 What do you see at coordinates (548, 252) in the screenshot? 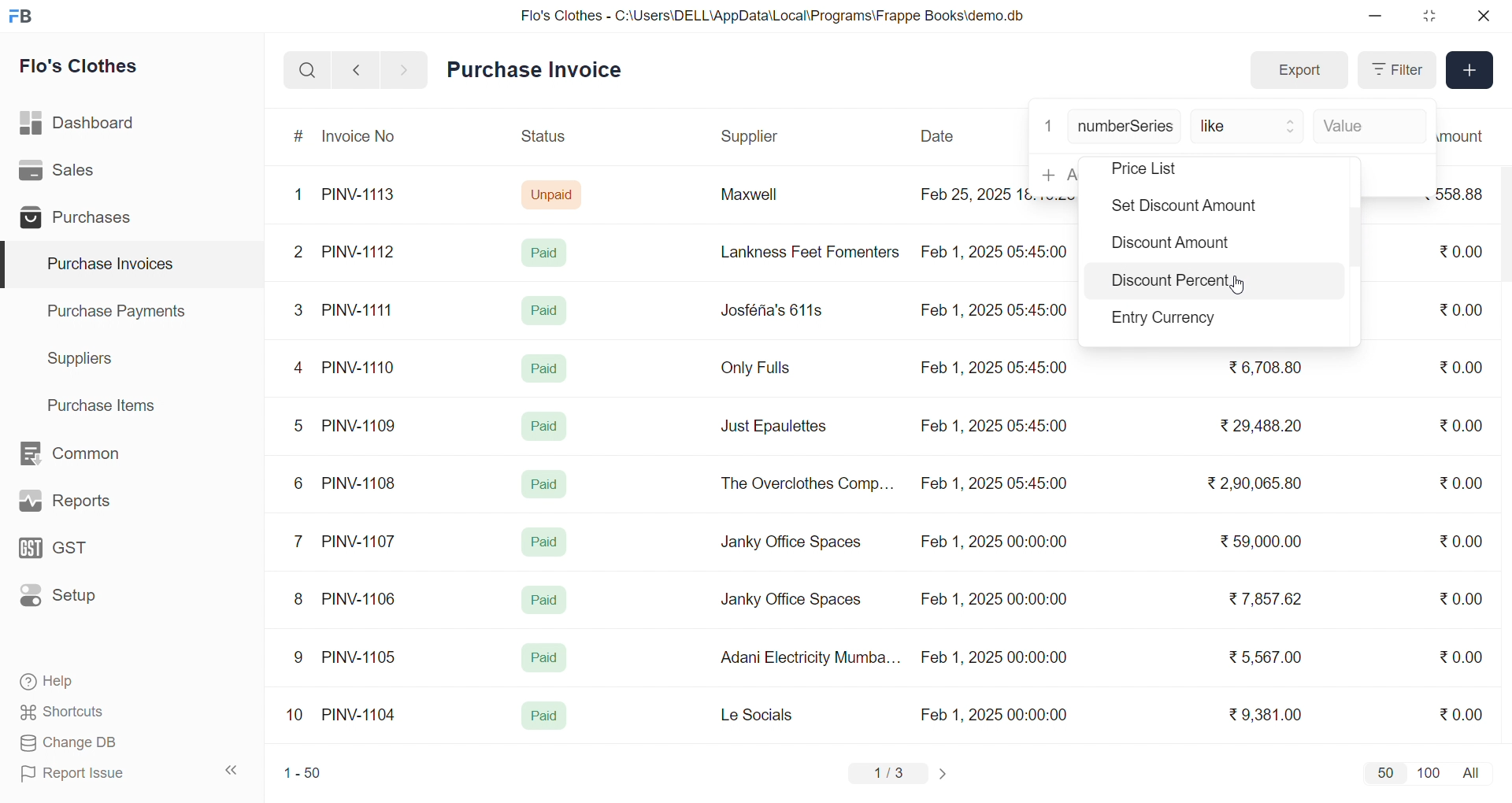
I see `Paid` at bounding box center [548, 252].